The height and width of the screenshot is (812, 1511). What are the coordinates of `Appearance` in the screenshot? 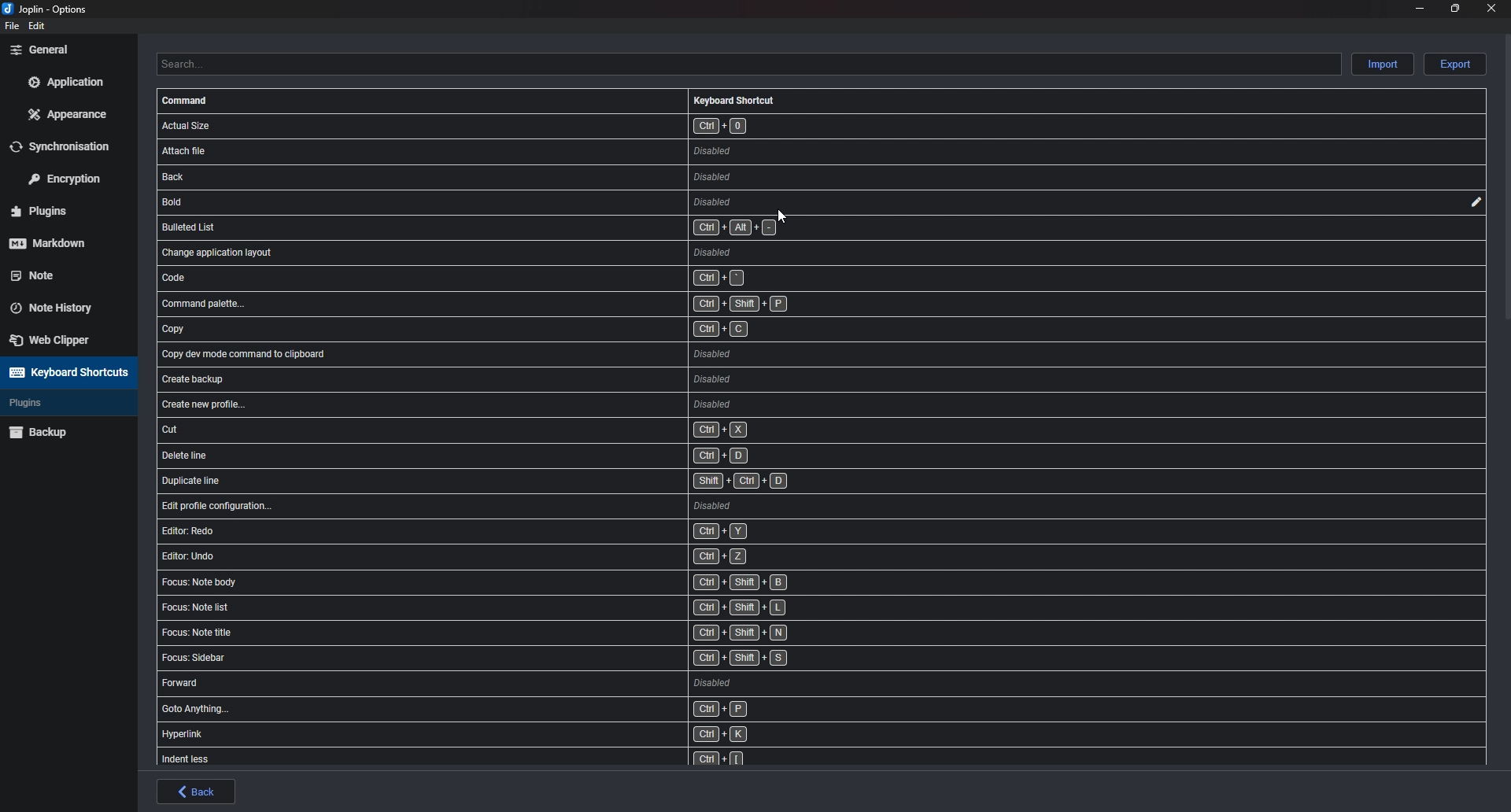 It's located at (69, 113).